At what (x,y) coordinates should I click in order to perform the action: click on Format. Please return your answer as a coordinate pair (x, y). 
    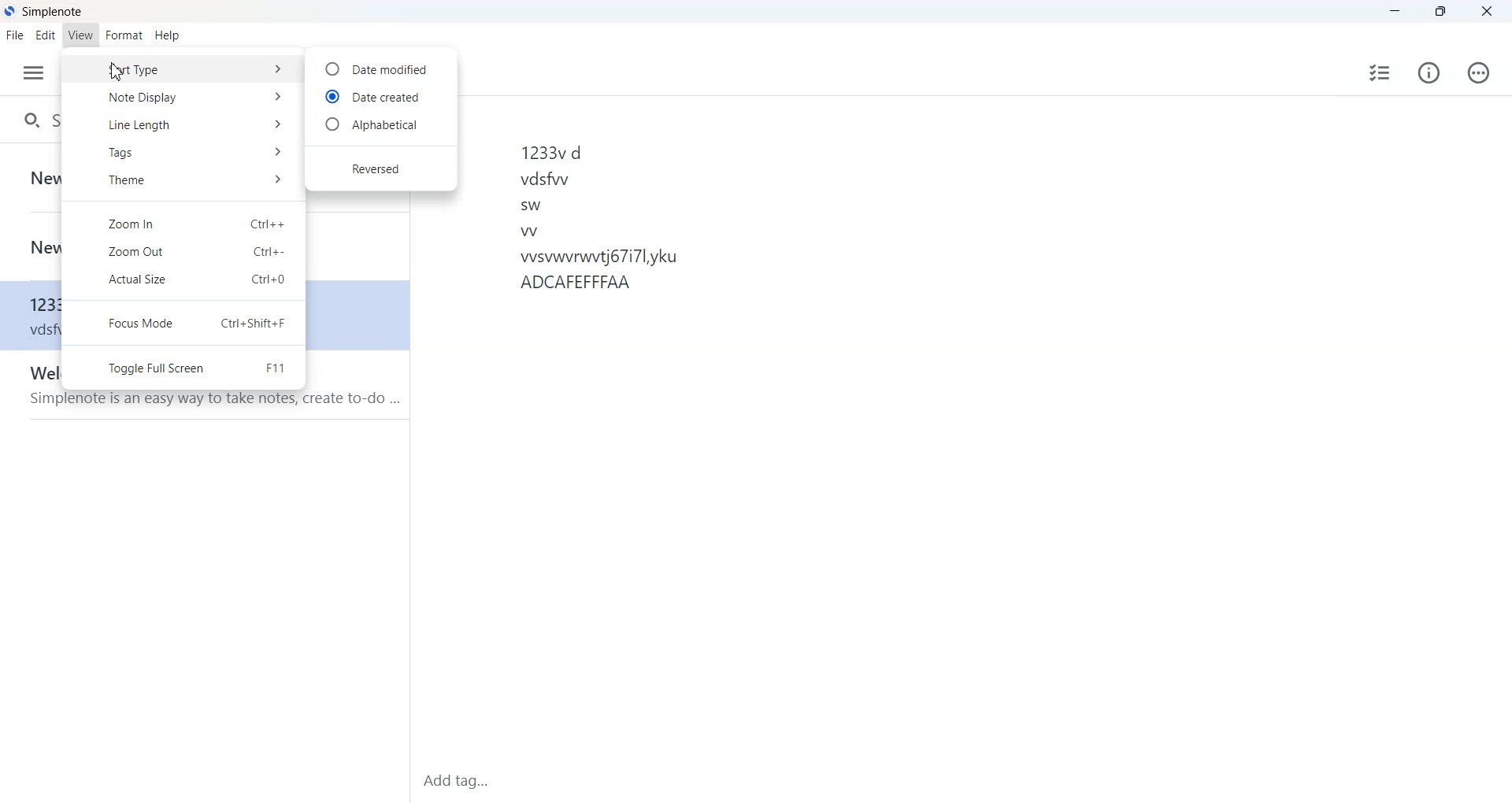
    Looking at the image, I should click on (124, 35).